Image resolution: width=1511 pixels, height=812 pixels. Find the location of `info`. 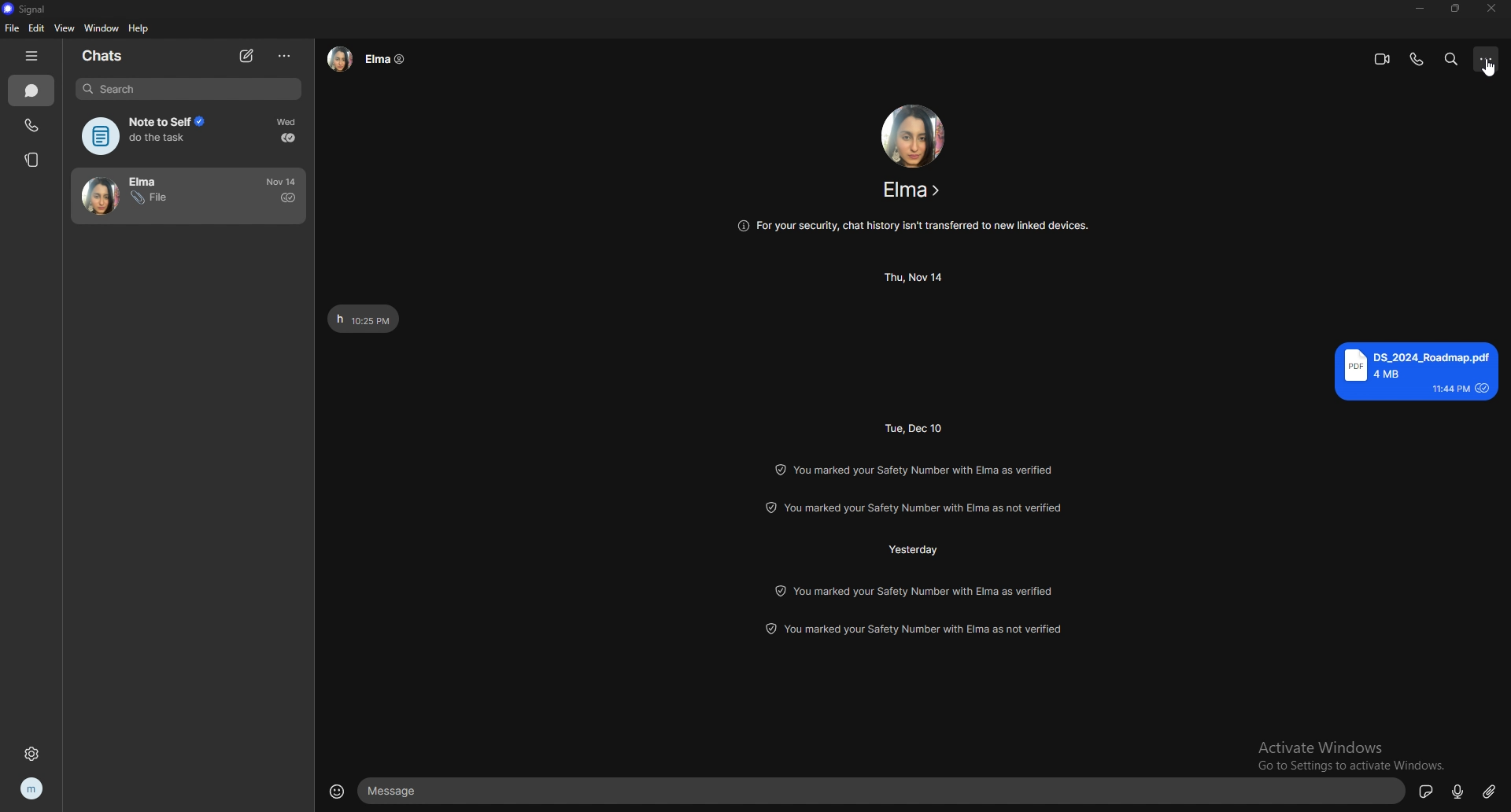

info is located at coordinates (916, 590).